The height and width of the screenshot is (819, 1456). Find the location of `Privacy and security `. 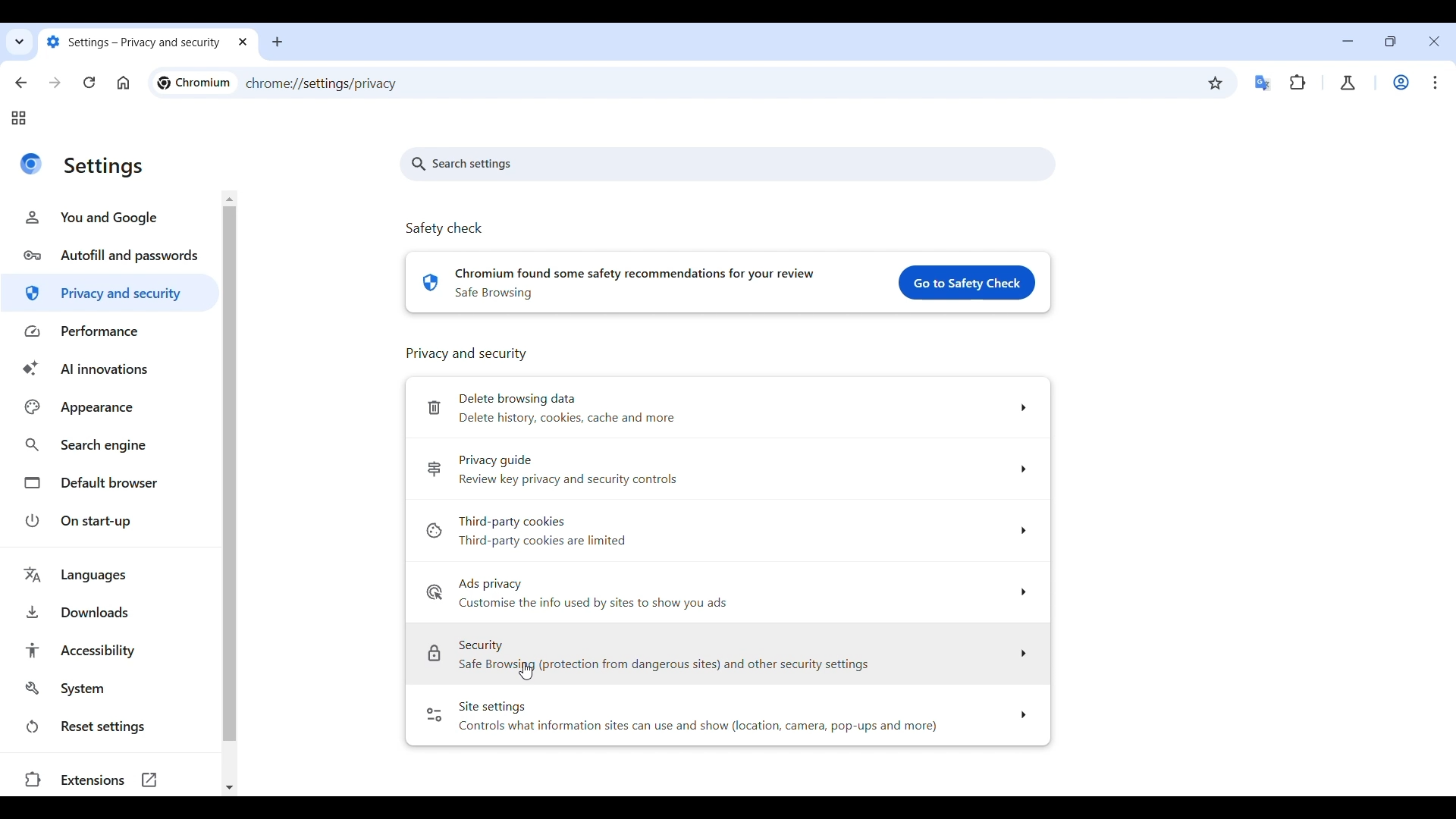

Privacy and security  is located at coordinates (110, 293).